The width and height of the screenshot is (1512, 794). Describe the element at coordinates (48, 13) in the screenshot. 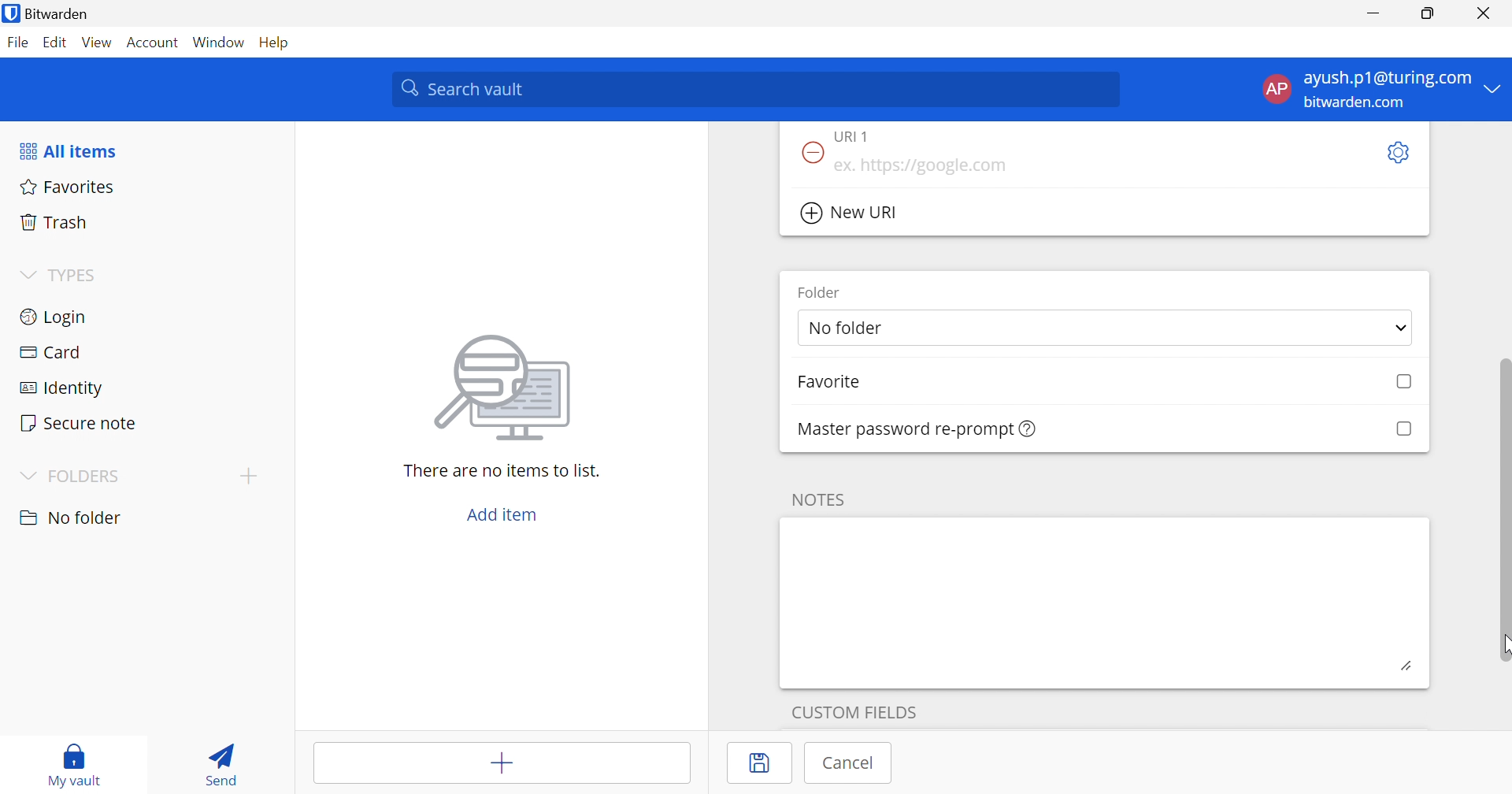

I see `Bitwarden` at that location.